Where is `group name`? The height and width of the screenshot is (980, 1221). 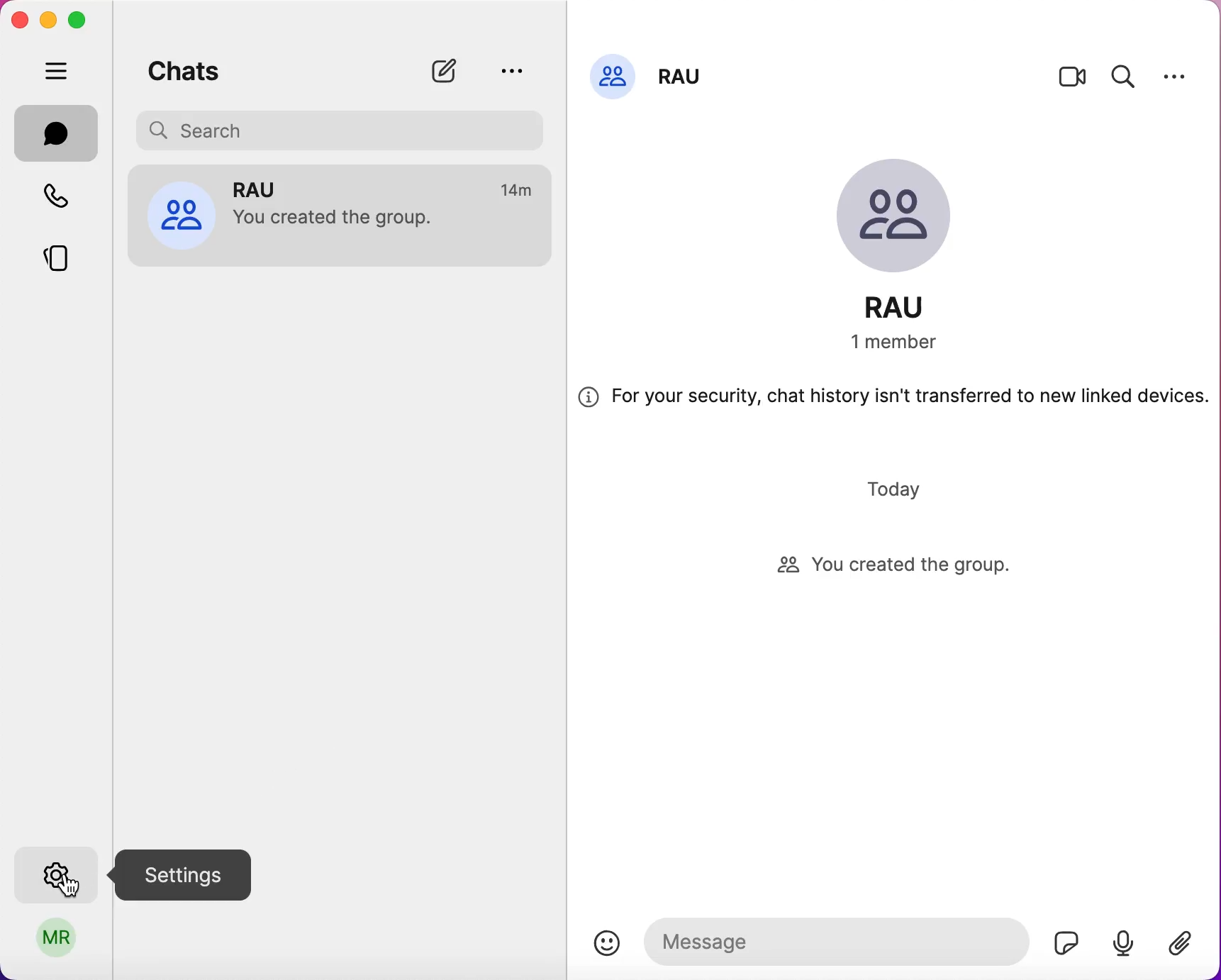 group name is located at coordinates (906, 308).